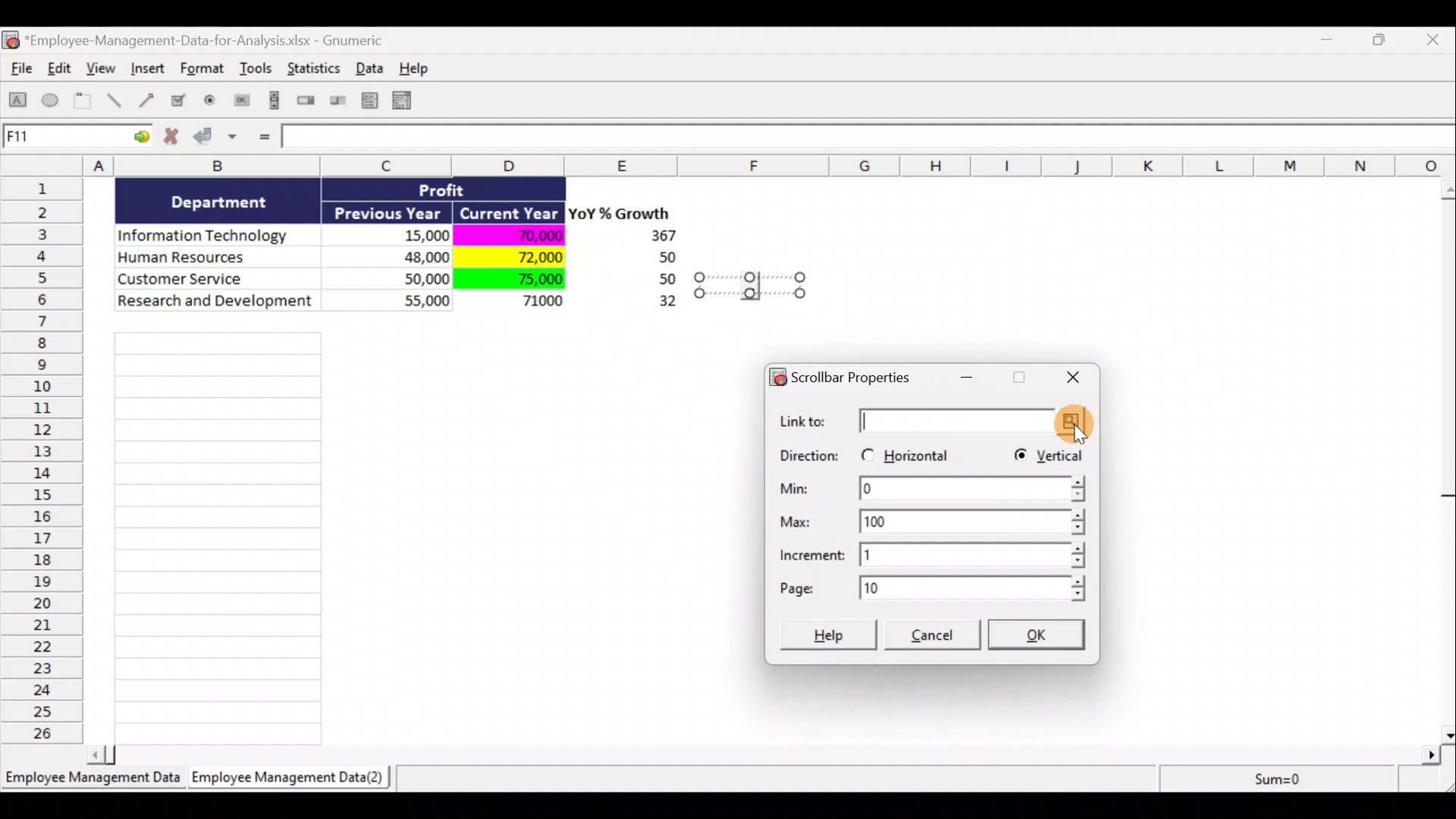 The image size is (1456, 819). I want to click on Tools, so click(258, 71).